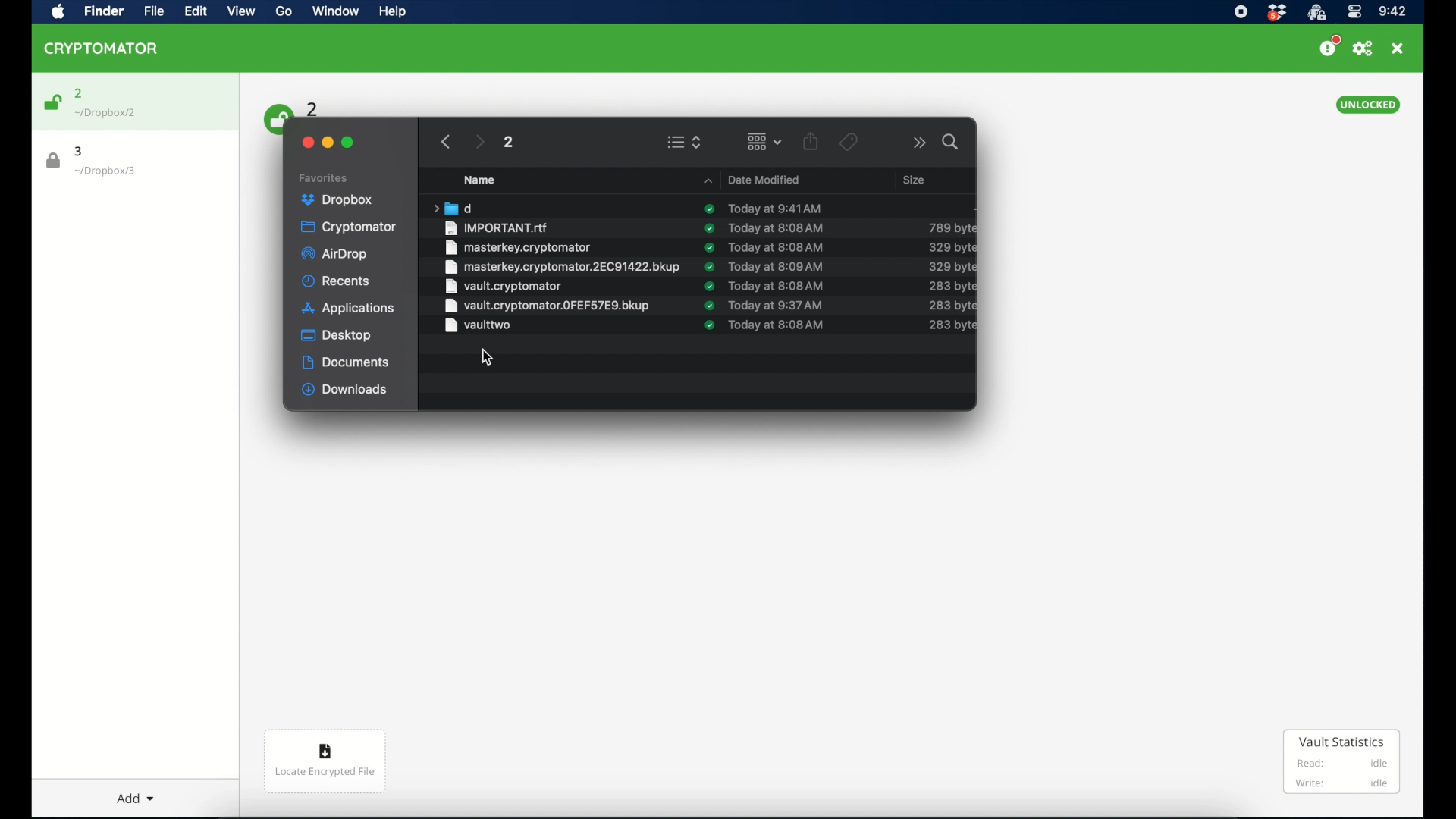  What do you see at coordinates (708, 228) in the screenshot?
I see `sync` at bounding box center [708, 228].